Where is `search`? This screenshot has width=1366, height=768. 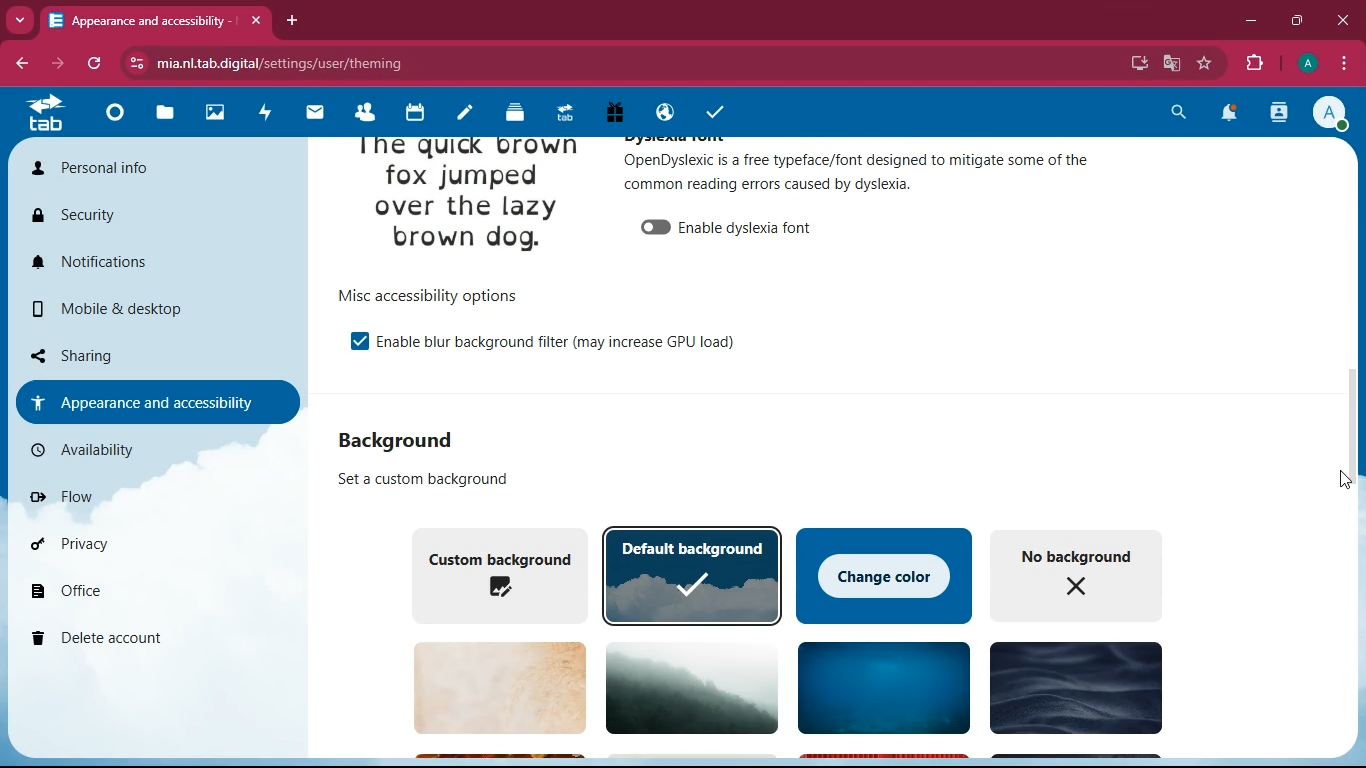
search is located at coordinates (1181, 112).